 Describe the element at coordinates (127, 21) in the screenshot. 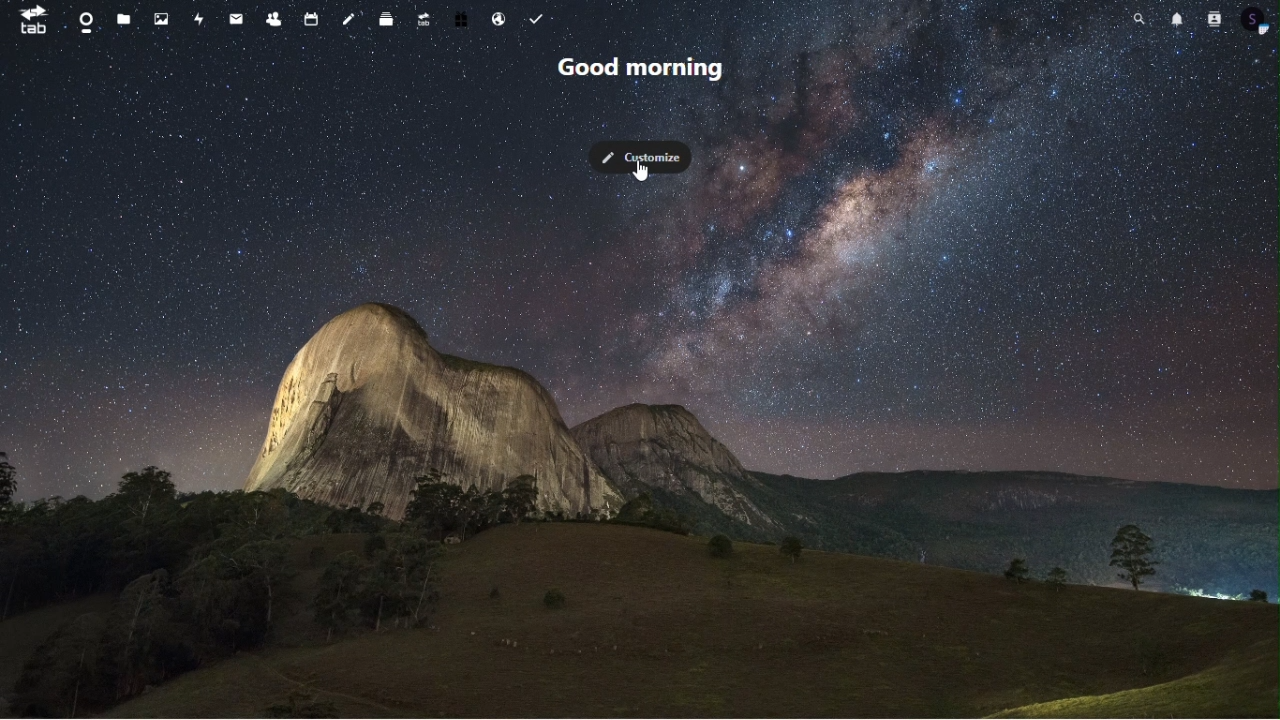

I see `files` at that location.